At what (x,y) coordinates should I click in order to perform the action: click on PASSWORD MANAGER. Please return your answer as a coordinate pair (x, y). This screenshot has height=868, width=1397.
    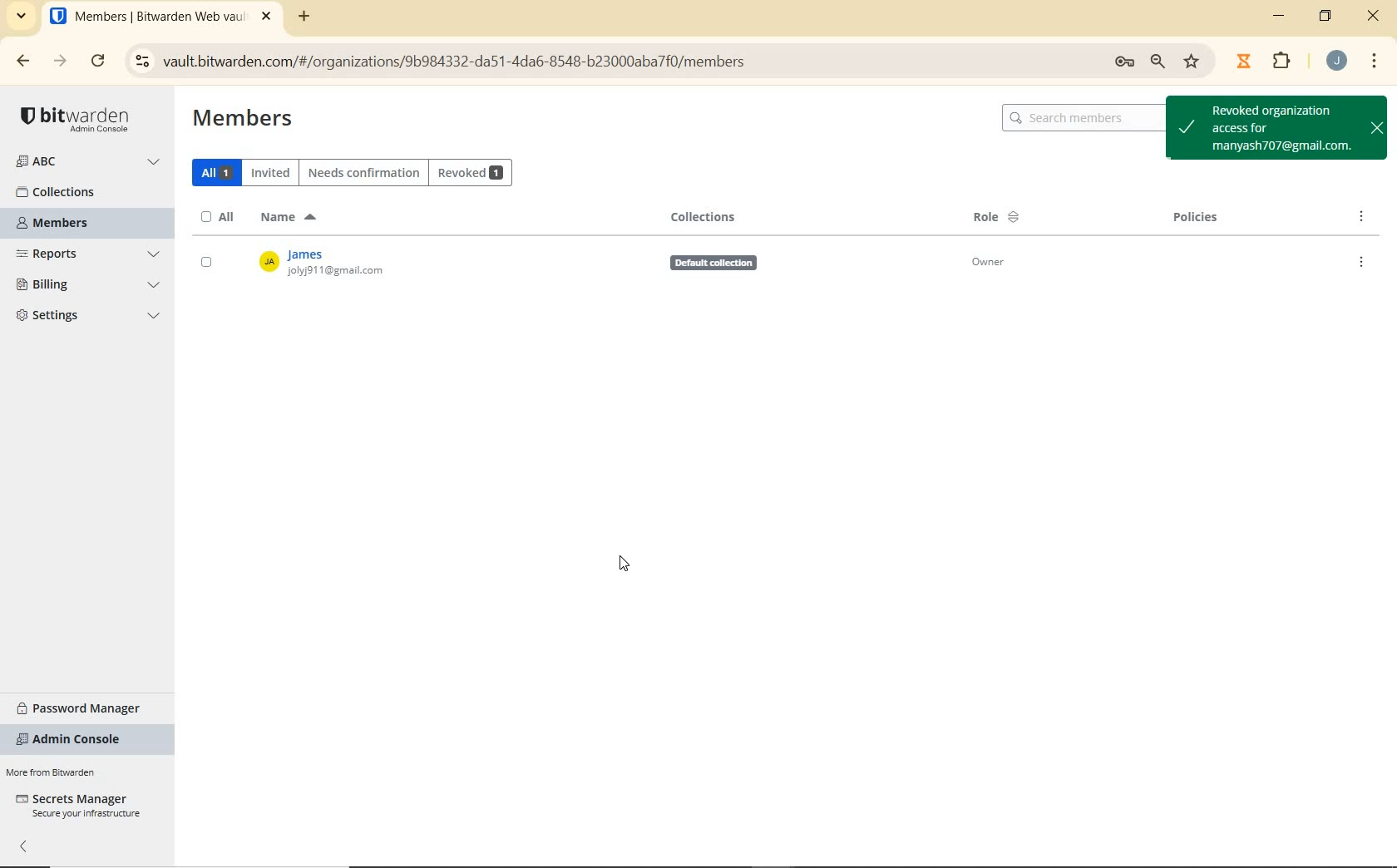
    Looking at the image, I should click on (86, 706).